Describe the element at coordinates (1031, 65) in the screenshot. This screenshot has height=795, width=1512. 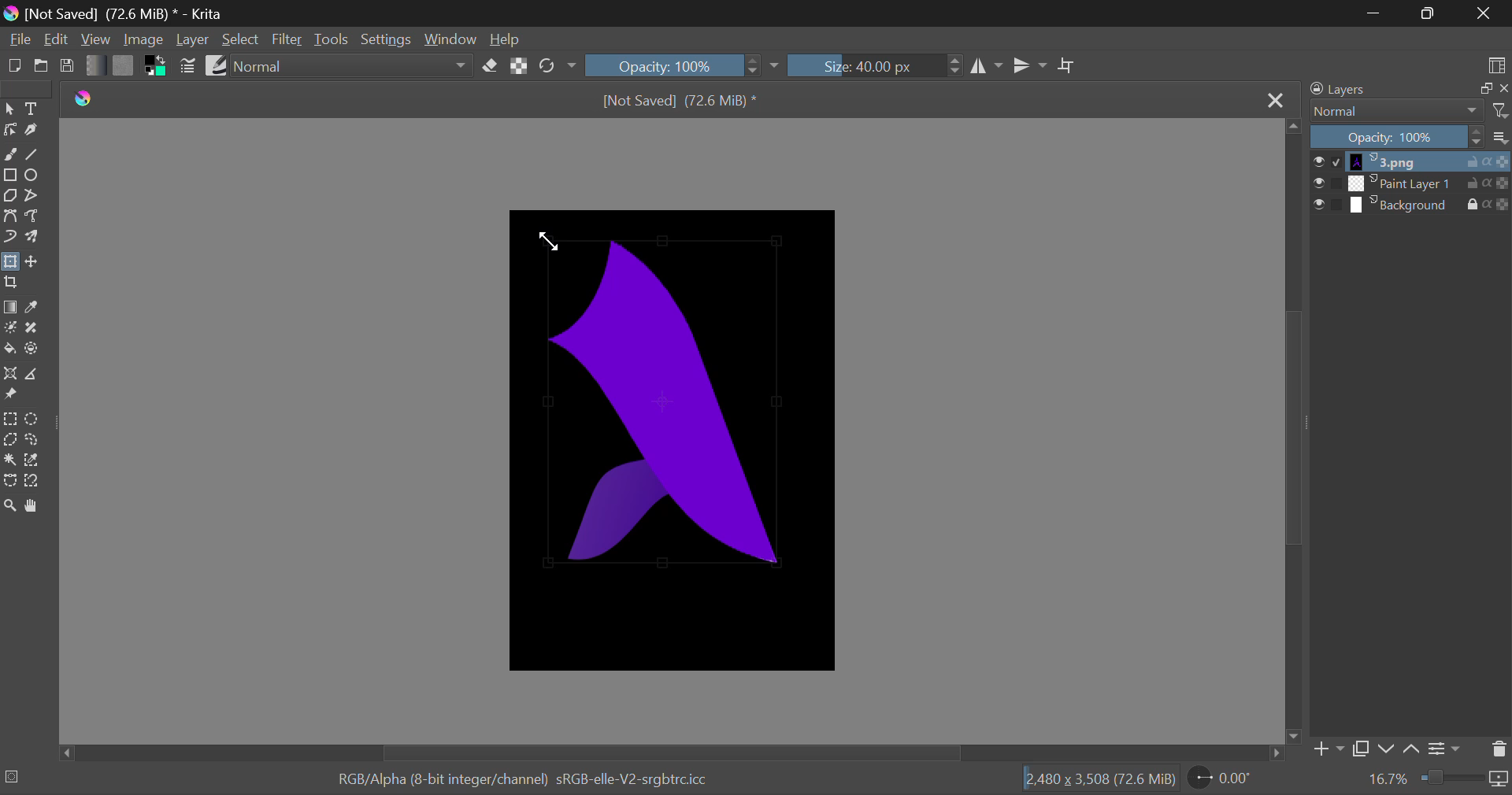
I see `Horizontal Mirror Flip` at that location.